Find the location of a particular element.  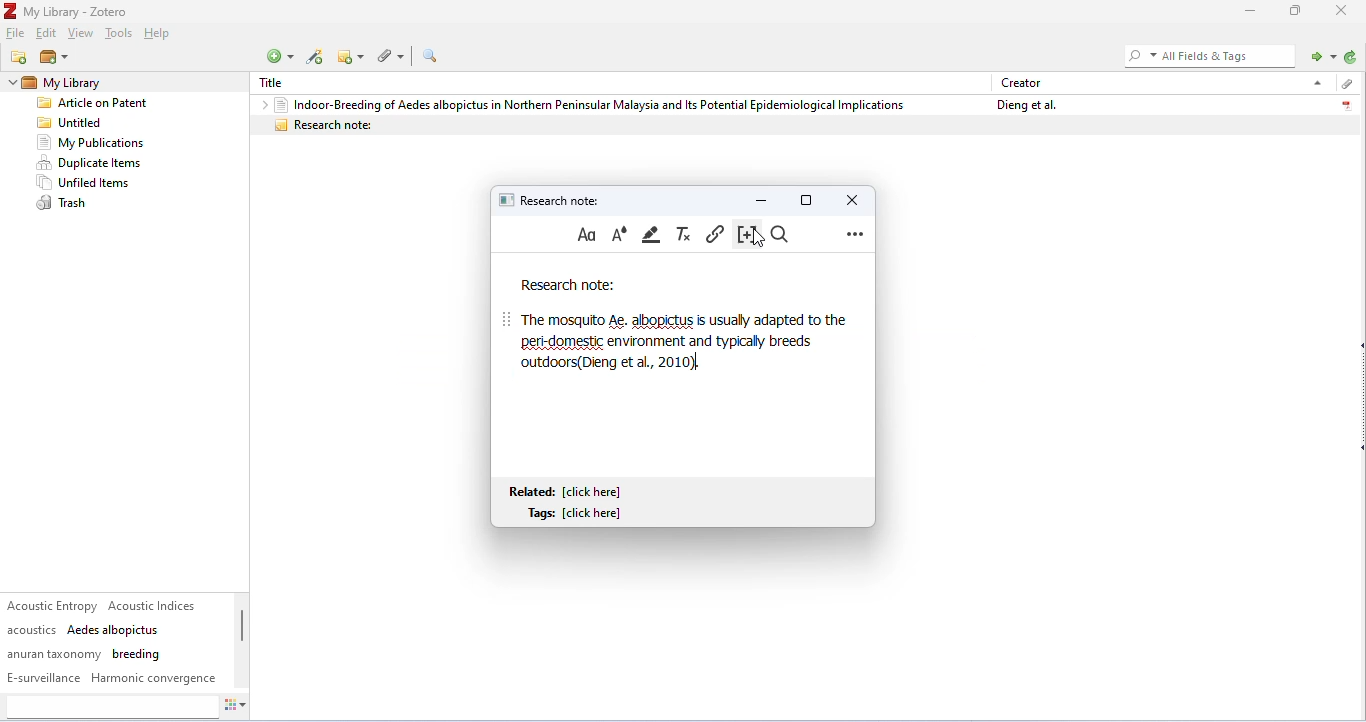

edit is located at coordinates (48, 34).